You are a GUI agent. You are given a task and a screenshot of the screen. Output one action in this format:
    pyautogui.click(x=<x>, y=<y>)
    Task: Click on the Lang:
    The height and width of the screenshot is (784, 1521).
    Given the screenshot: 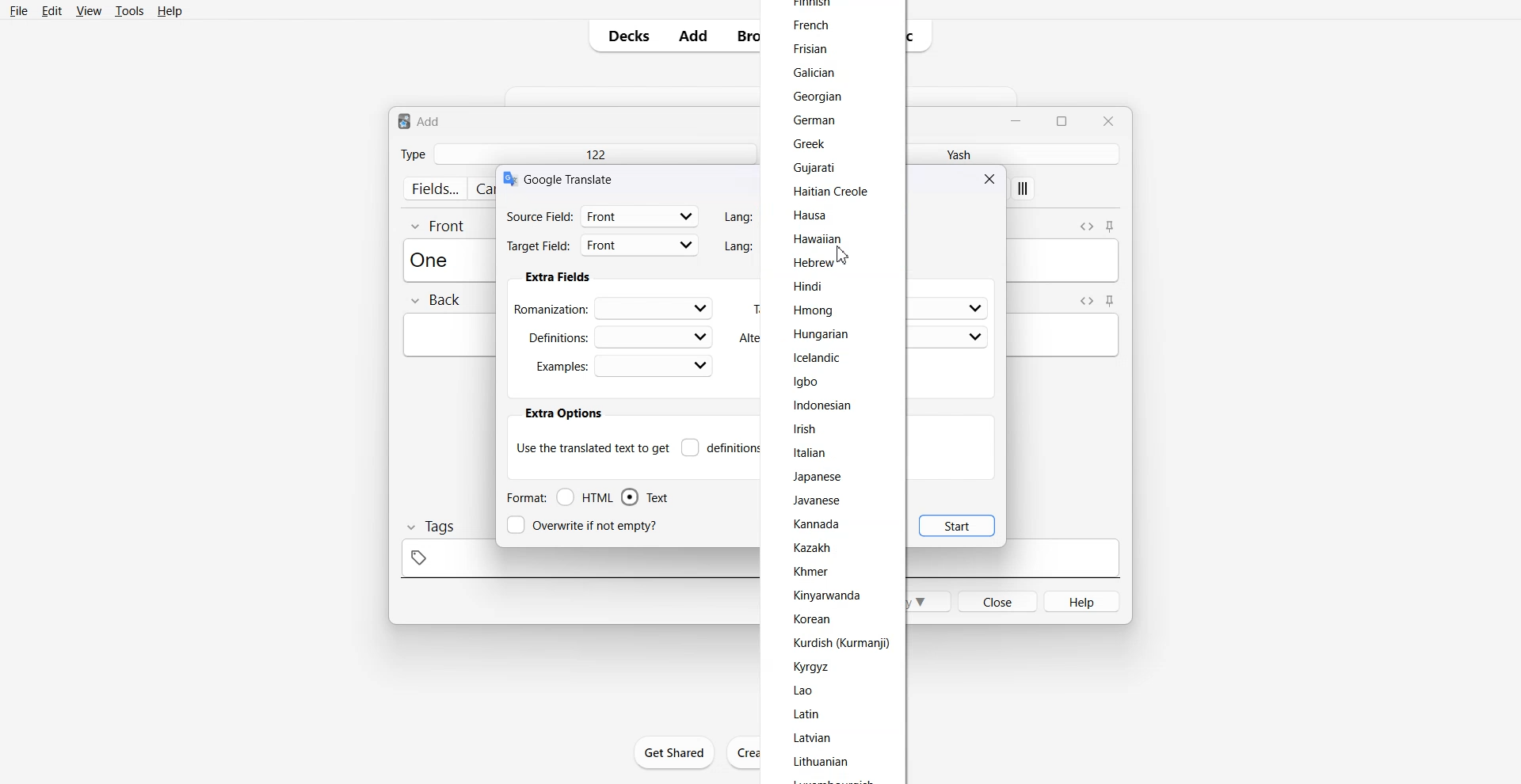 What is the action you would take?
    pyautogui.click(x=738, y=217)
    